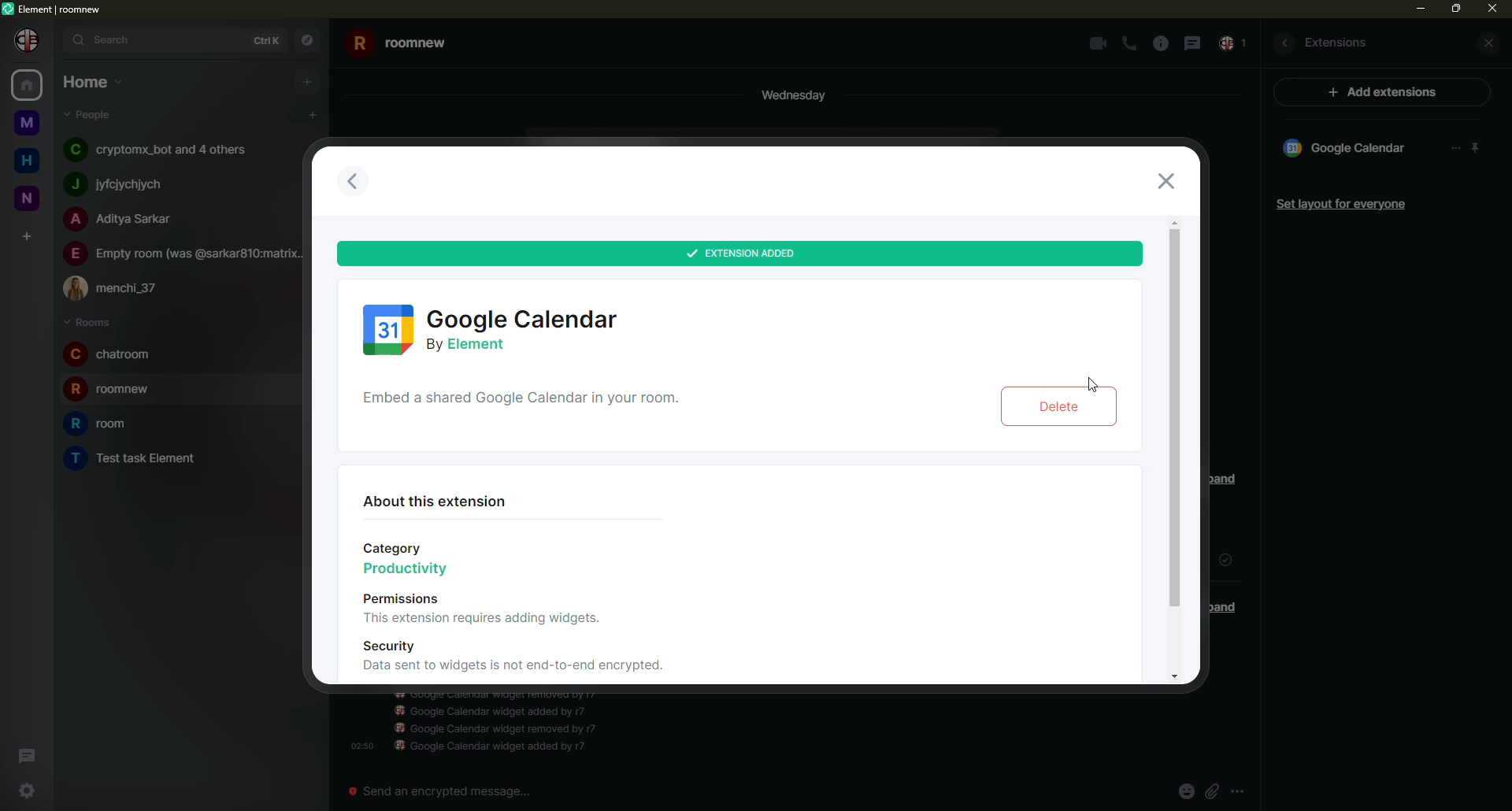 Image resolution: width=1512 pixels, height=811 pixels. I want to click on people, so click(90, 114).